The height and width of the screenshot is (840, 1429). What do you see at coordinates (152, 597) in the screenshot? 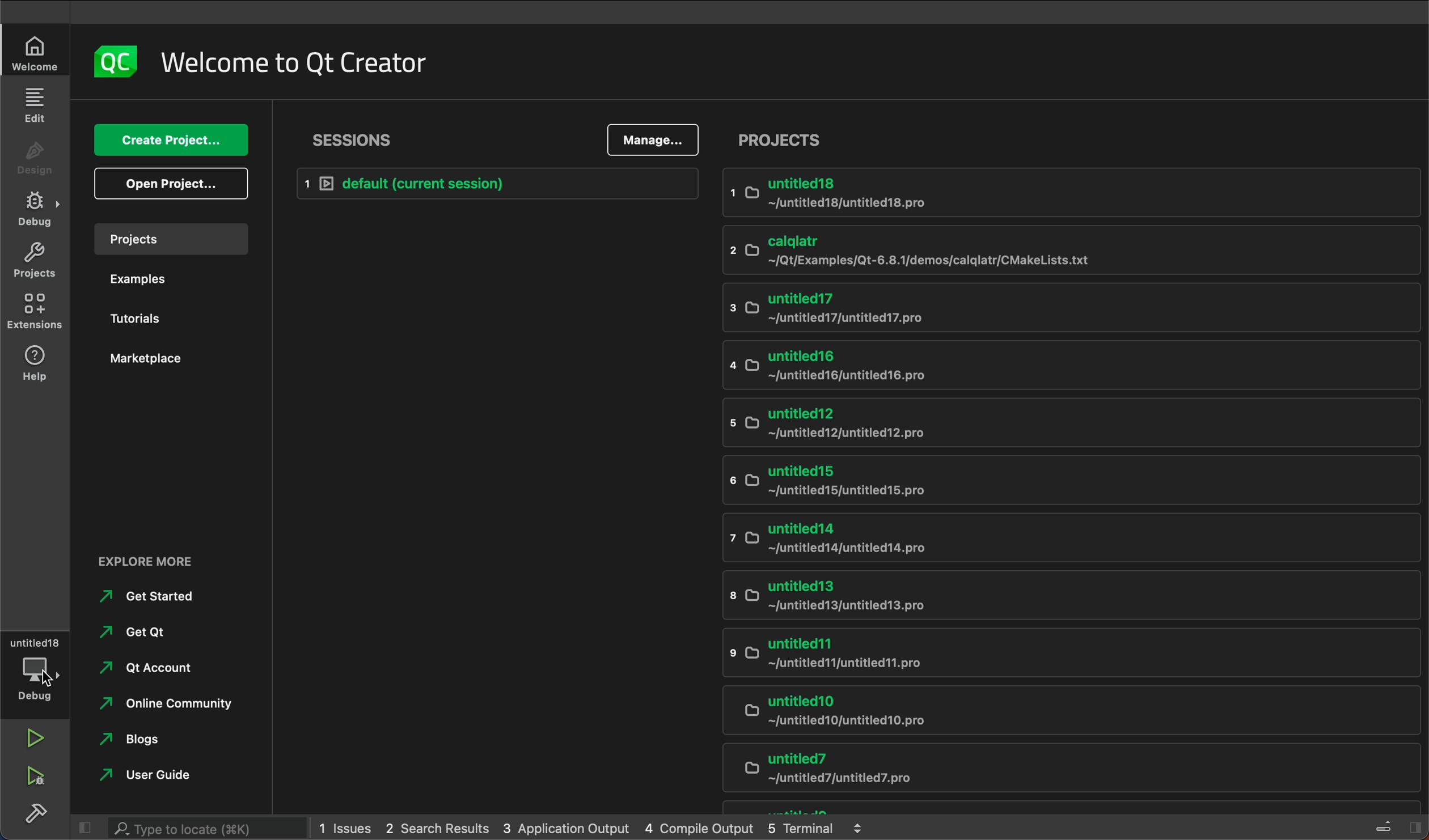
I see `started` at bounding box center [152, 597].